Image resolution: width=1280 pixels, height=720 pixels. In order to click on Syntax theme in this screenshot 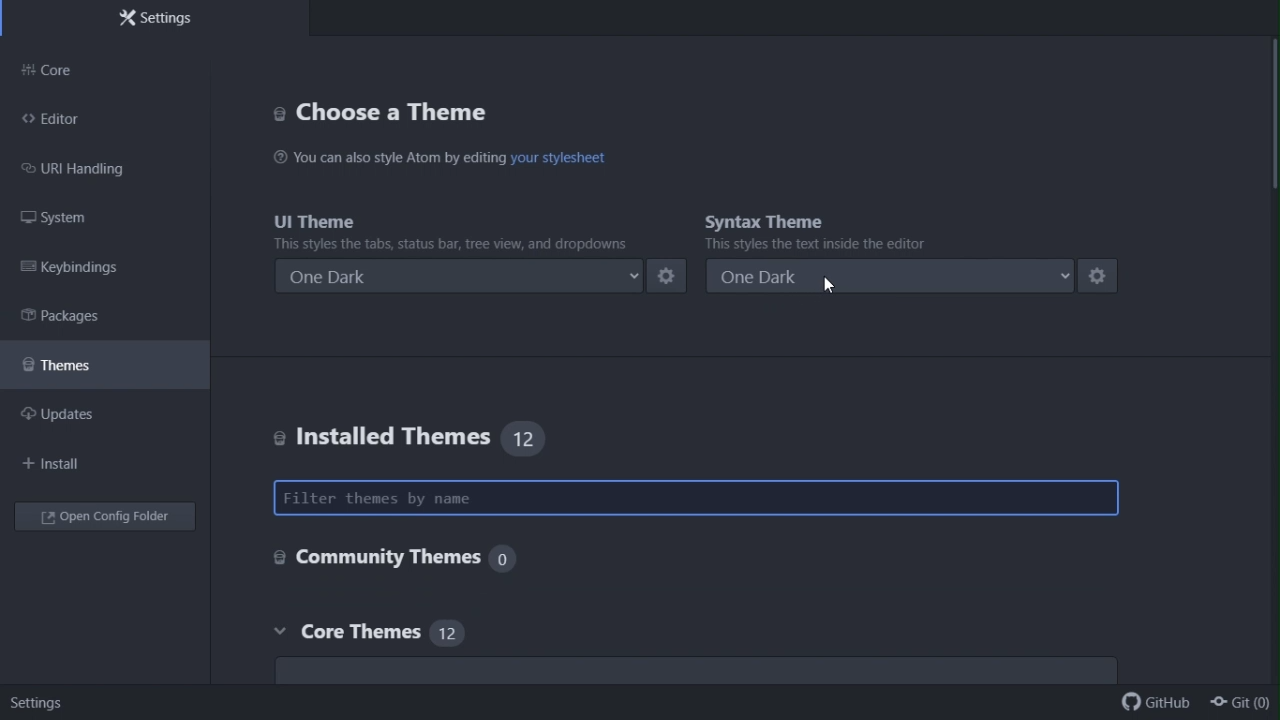, I will do `click(845, 229)`.